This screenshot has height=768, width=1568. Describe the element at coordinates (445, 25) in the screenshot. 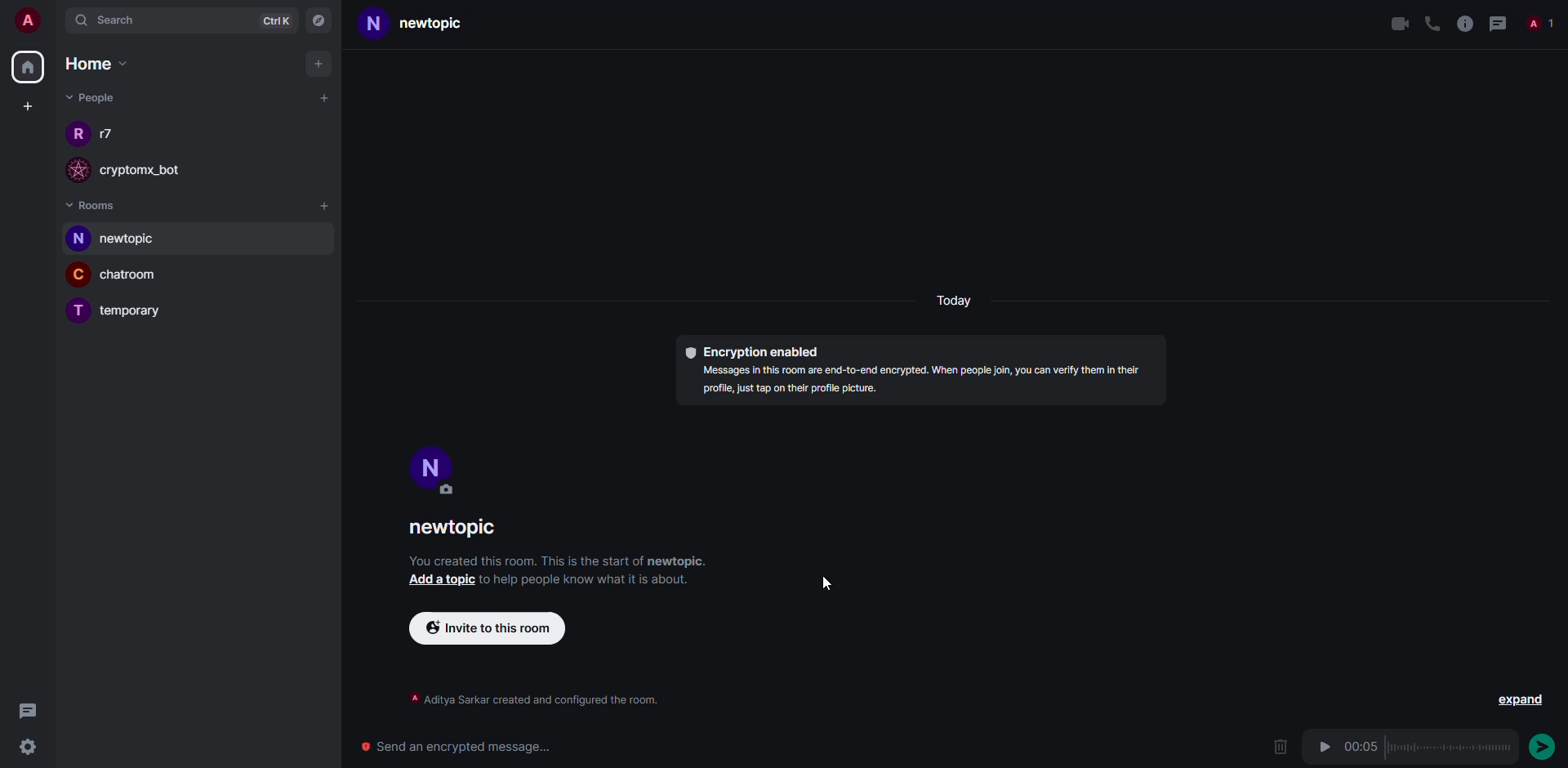

I see `room` at that location.